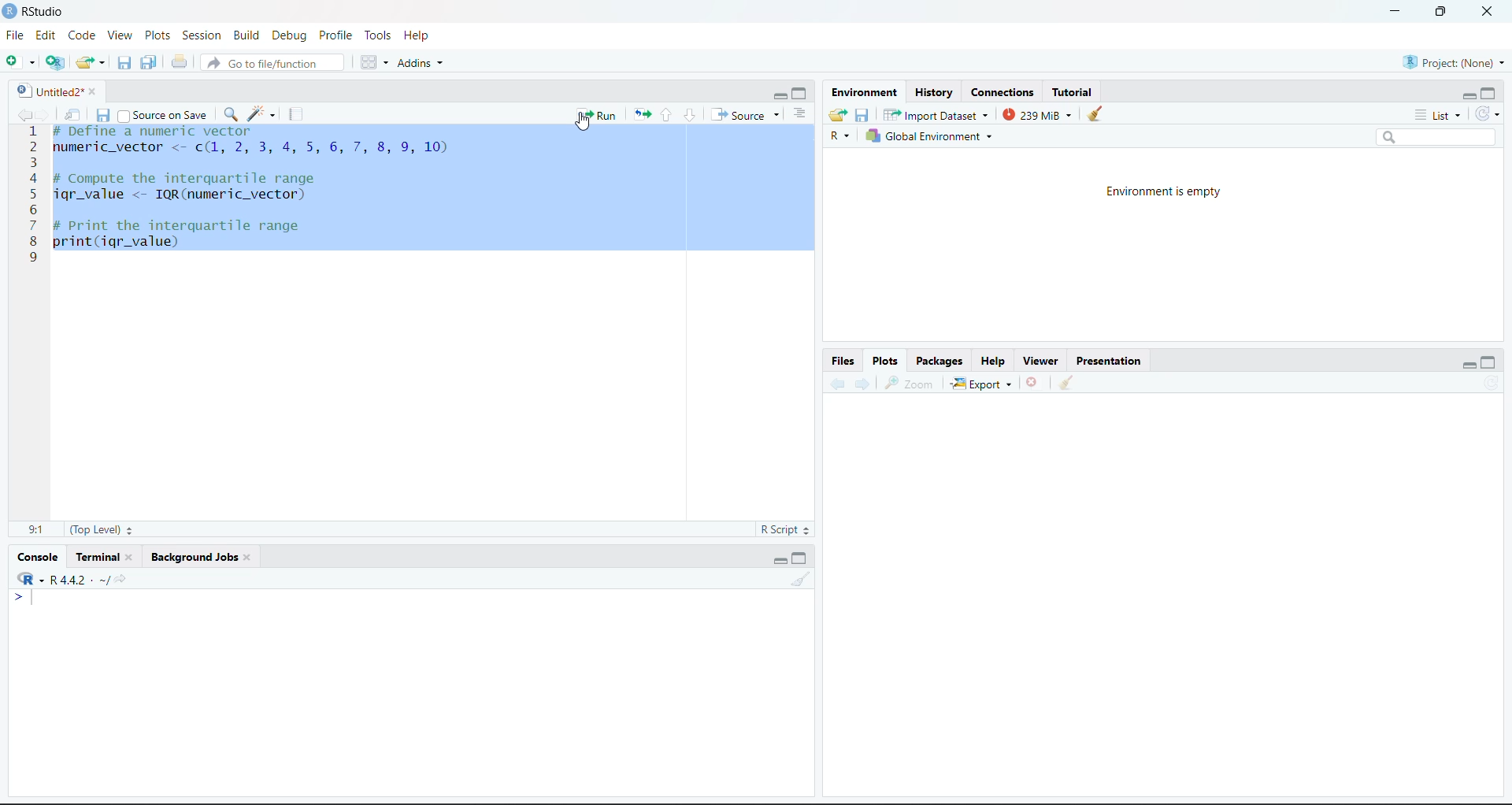  Describe the element at coordinates (20, 61) in the screenshot. I see `New File` at that location.